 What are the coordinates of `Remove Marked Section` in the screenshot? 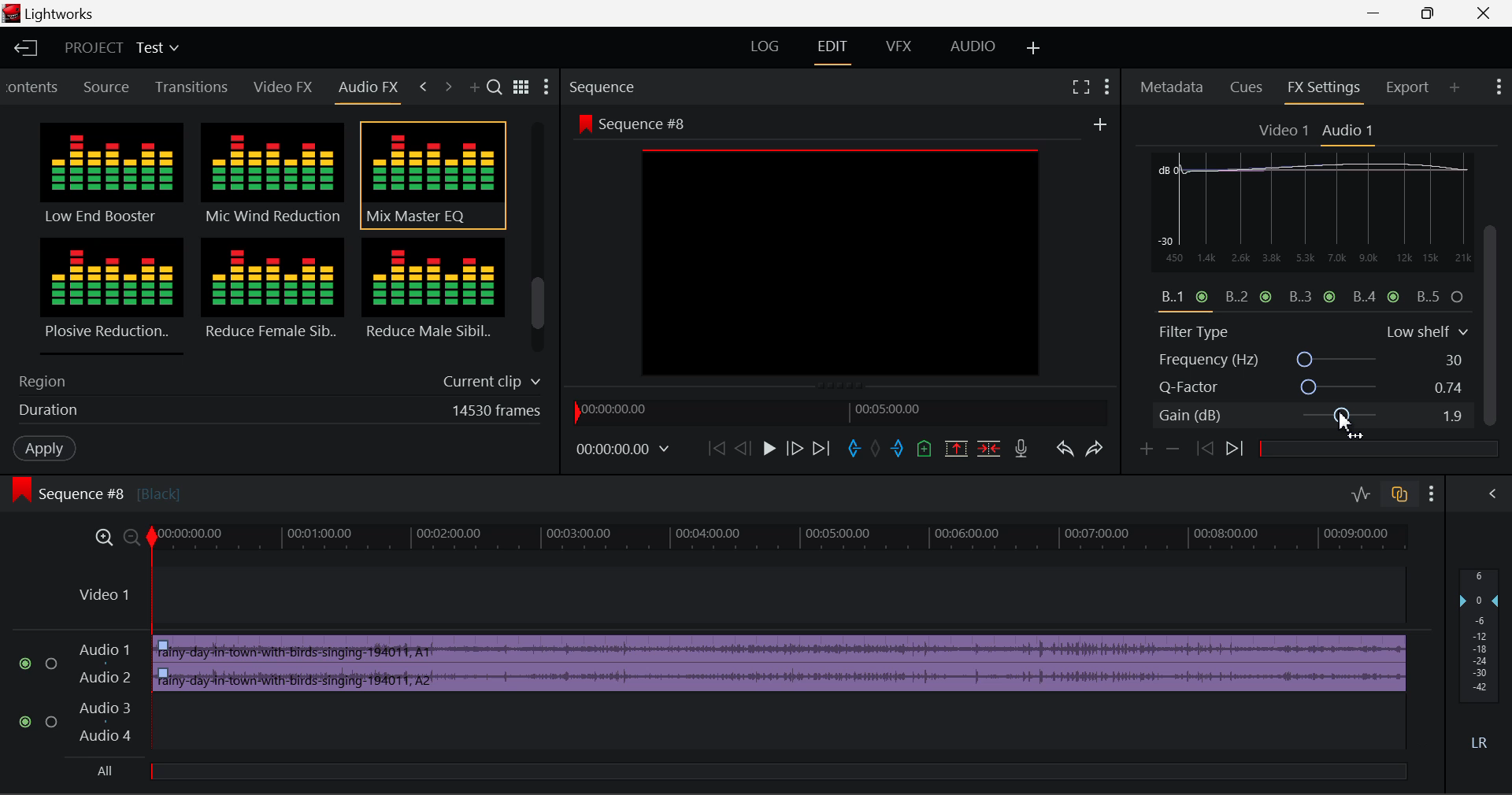 It's located at (954, 448).